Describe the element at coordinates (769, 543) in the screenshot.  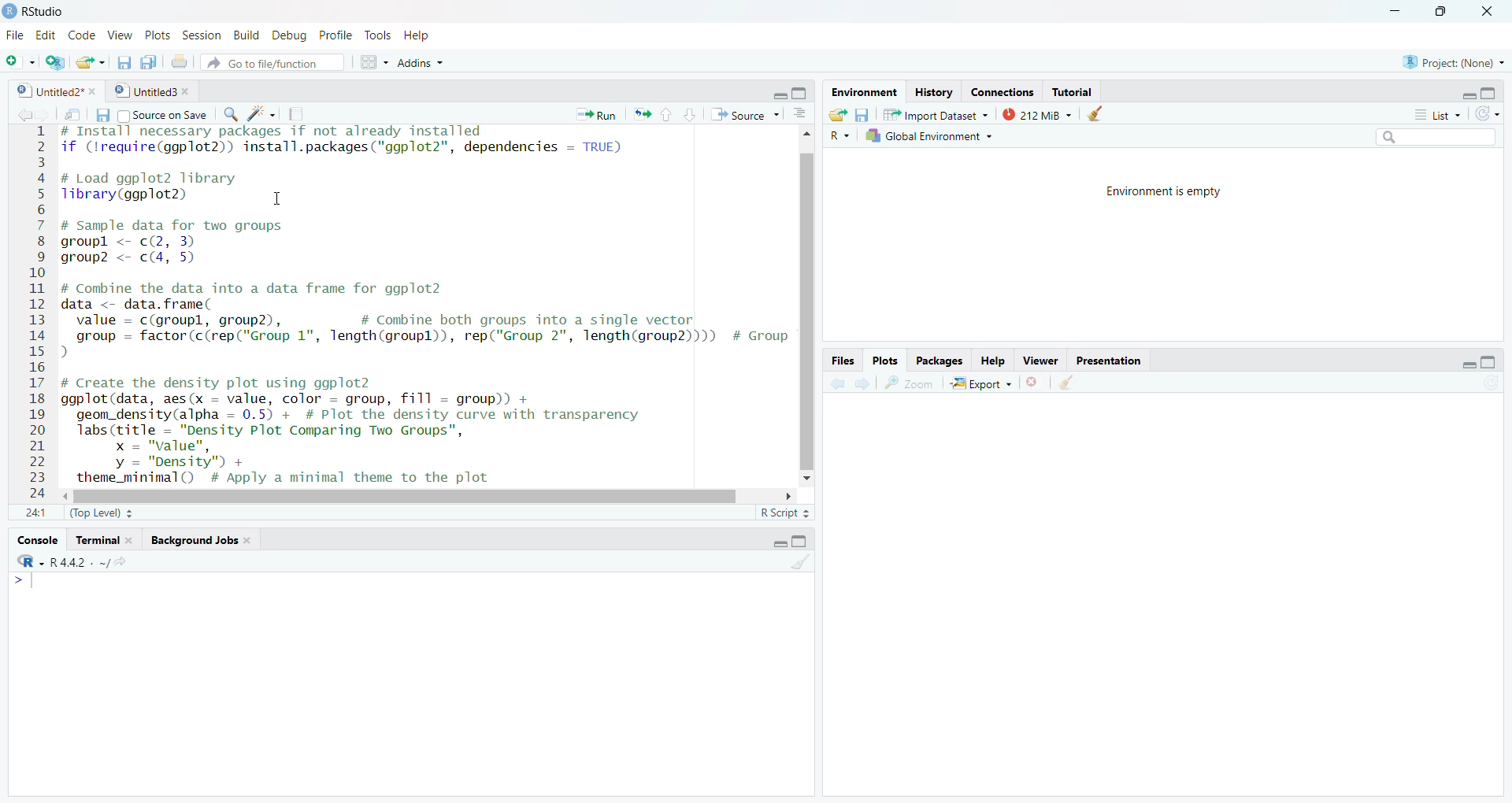
I see `minimize` at that location.